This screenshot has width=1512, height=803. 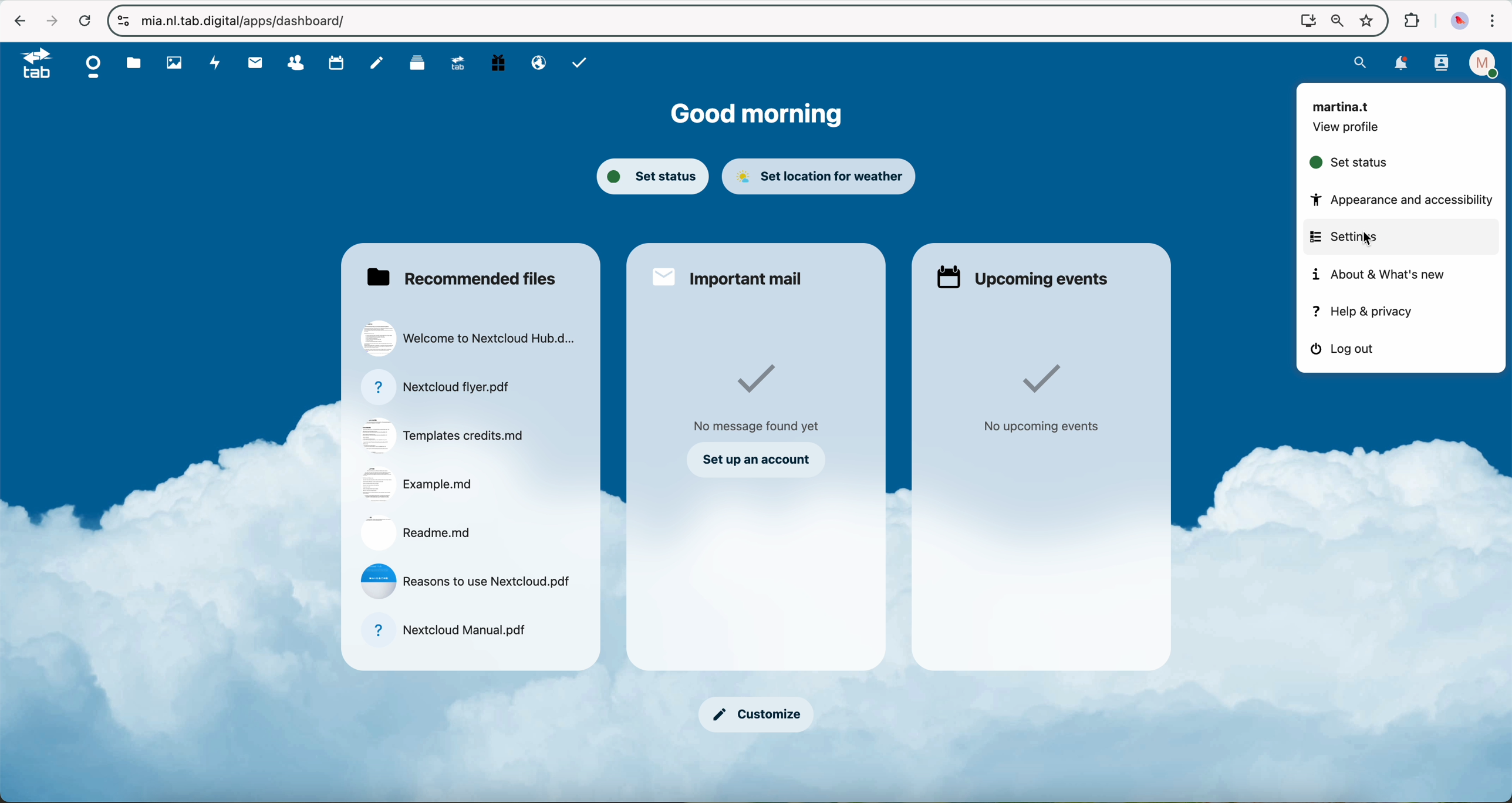 What do you see at coordinates (31, 65) in the screenshot?
I see `tab logo` at bounding box center [31, 65].